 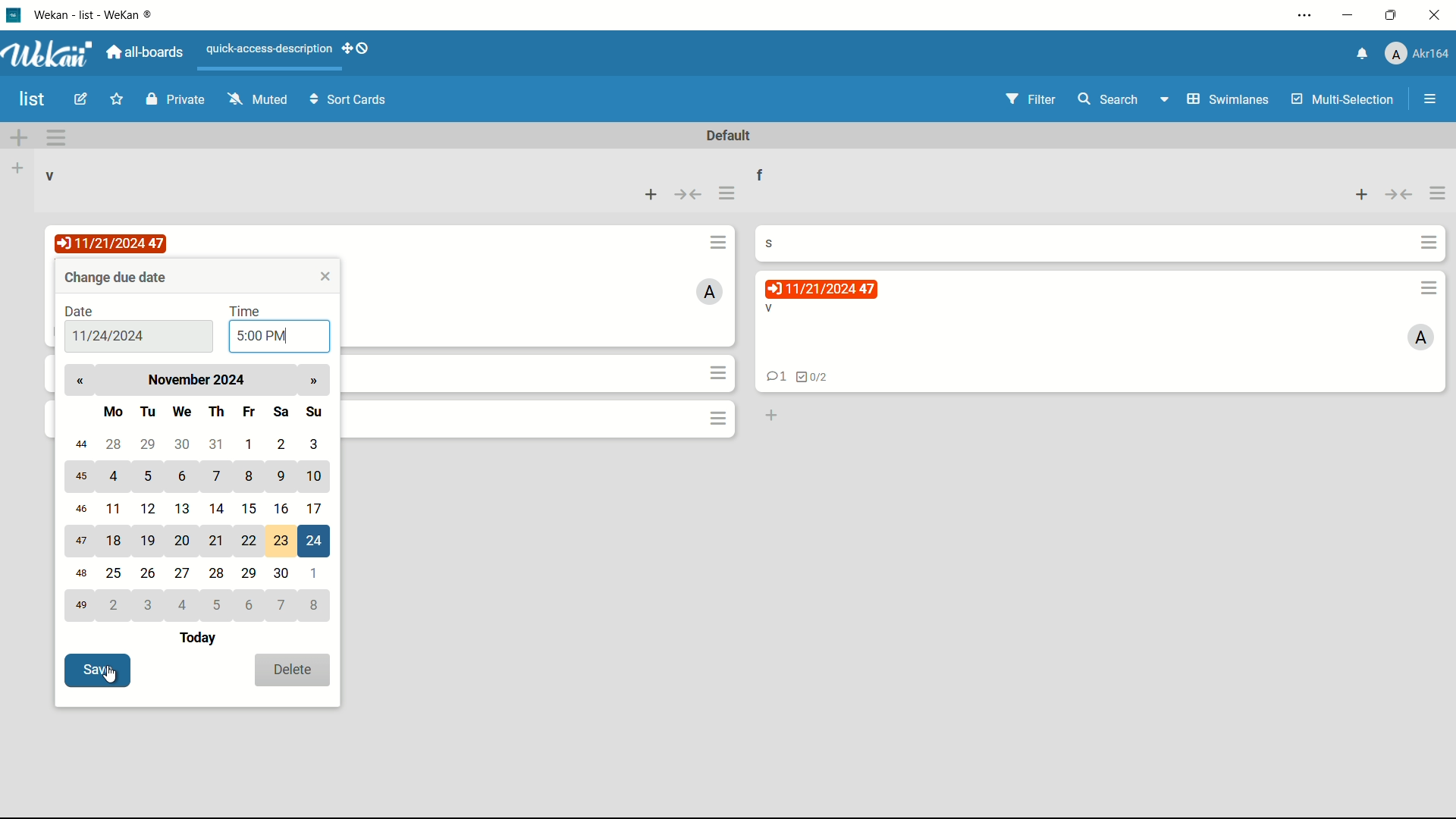 I want to click on add swimlane, so click(x=20, y=136).